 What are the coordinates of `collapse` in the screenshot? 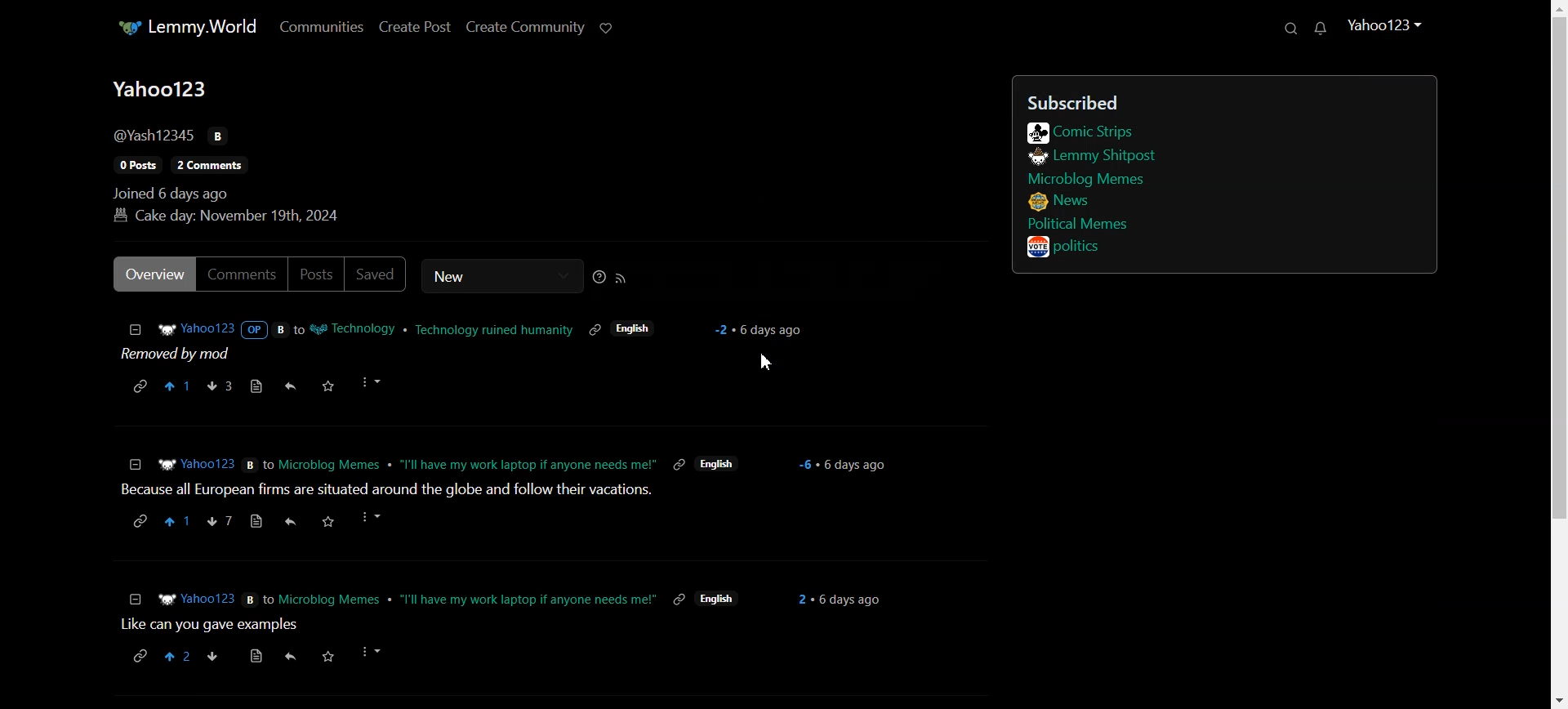 It's located at (135, 600).